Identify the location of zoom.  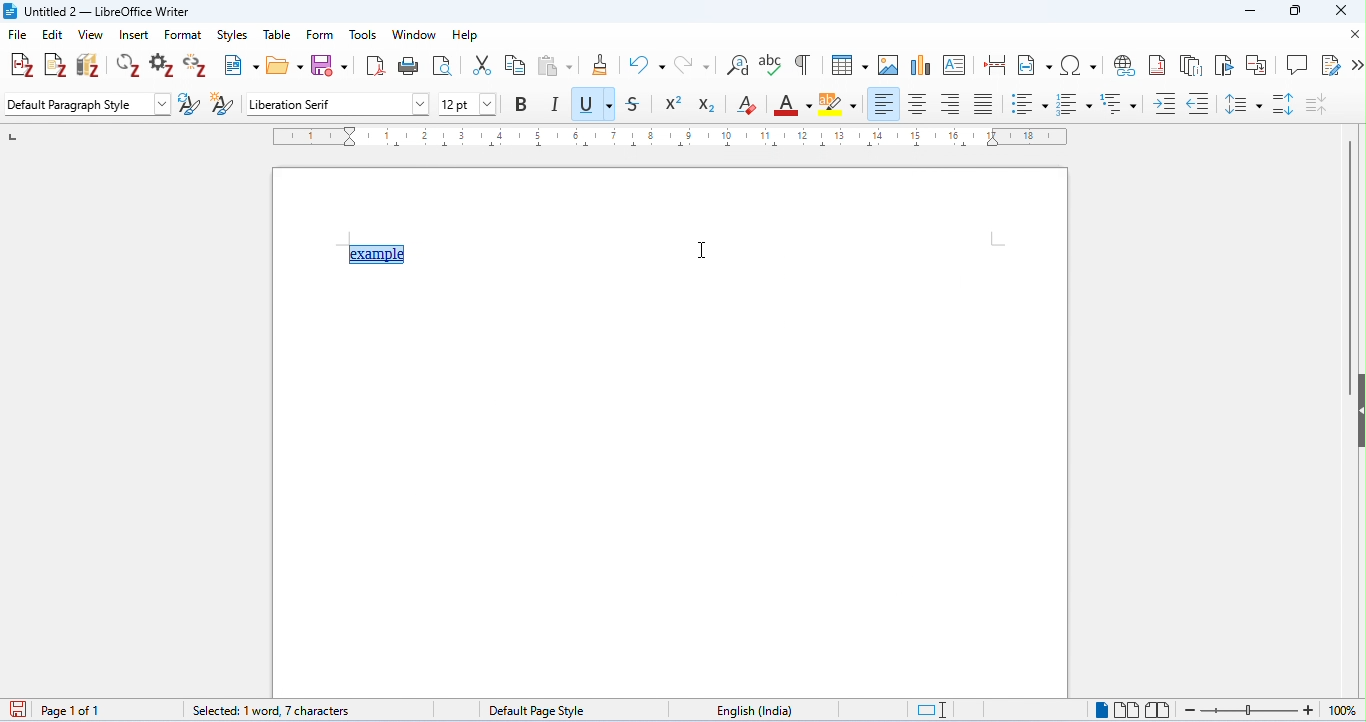
(1270, 710).